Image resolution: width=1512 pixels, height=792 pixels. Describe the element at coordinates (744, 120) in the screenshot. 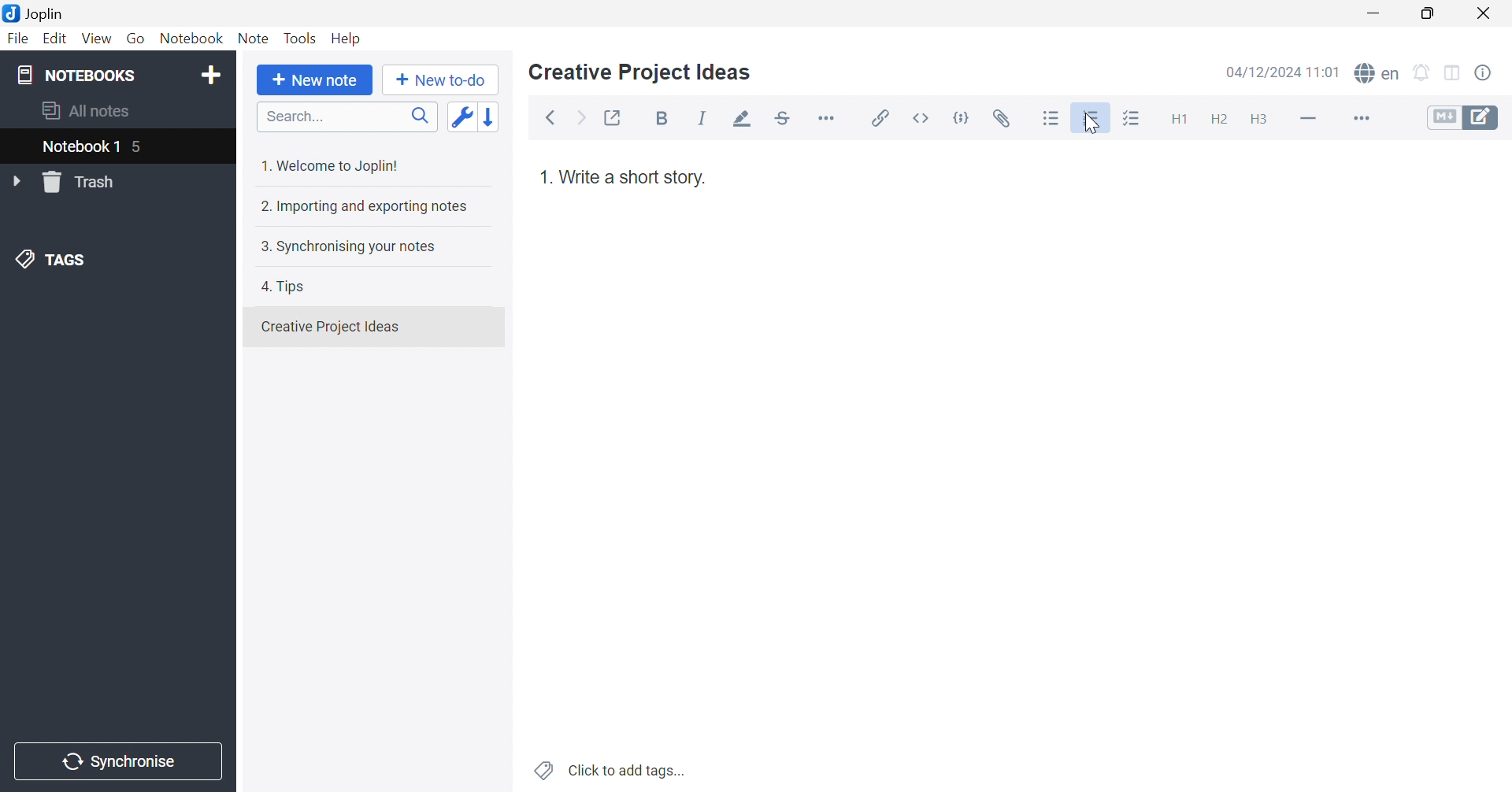

I see `Highlight` at that location.